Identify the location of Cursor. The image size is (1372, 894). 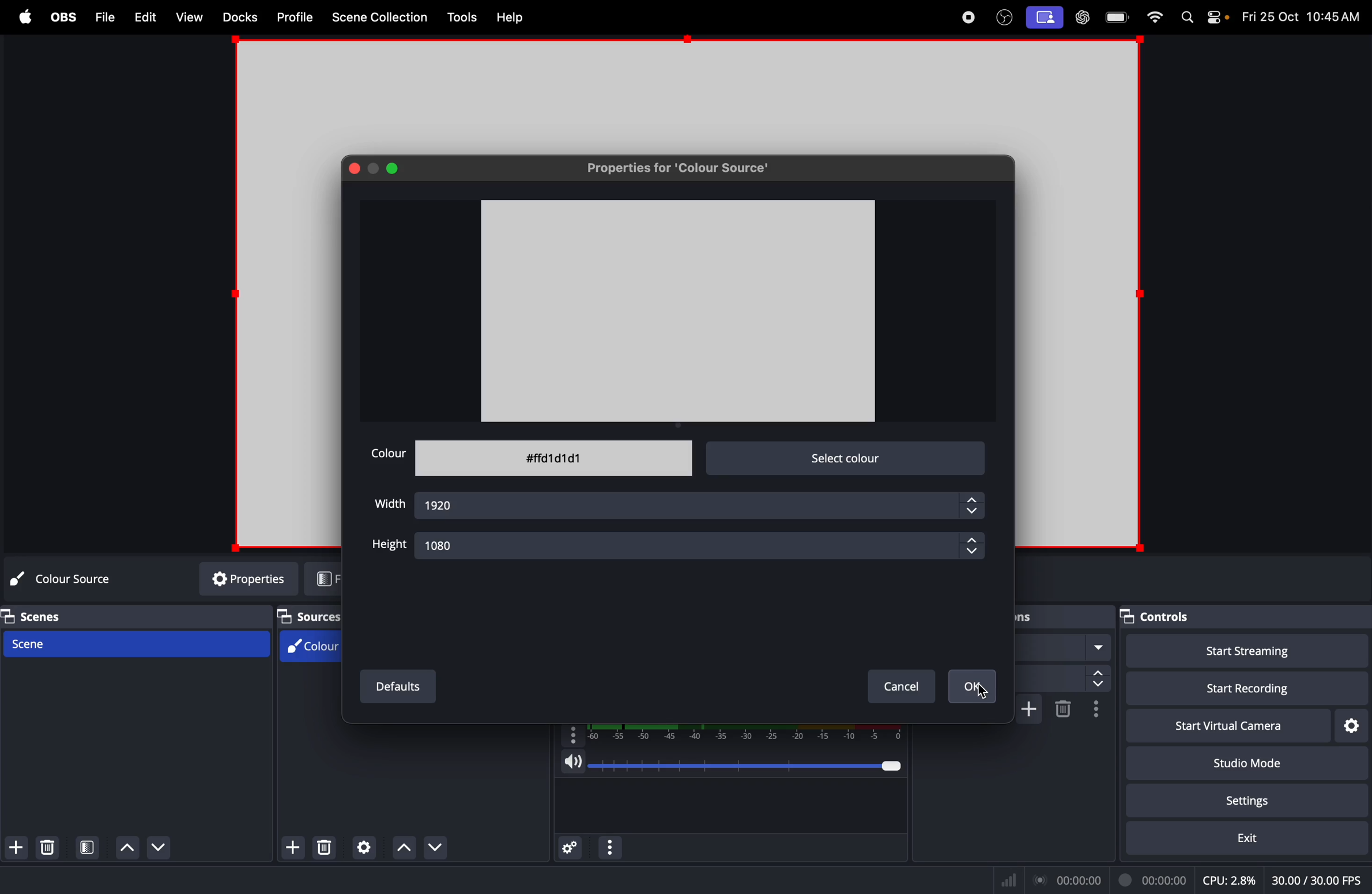
(982, 695).